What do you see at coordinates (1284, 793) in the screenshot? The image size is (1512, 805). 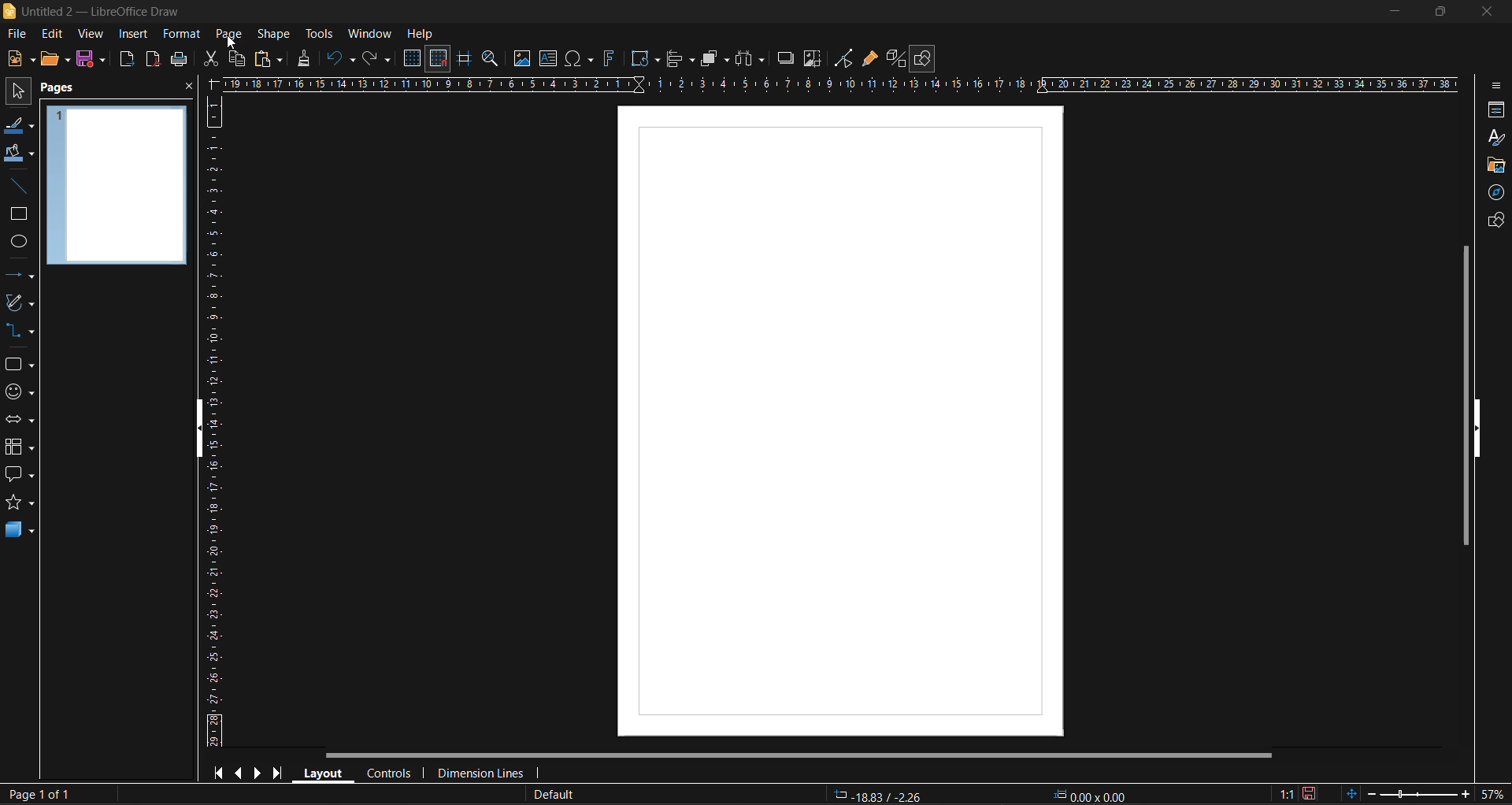 I see `scaling factor` at bounding box center [1284, 793].